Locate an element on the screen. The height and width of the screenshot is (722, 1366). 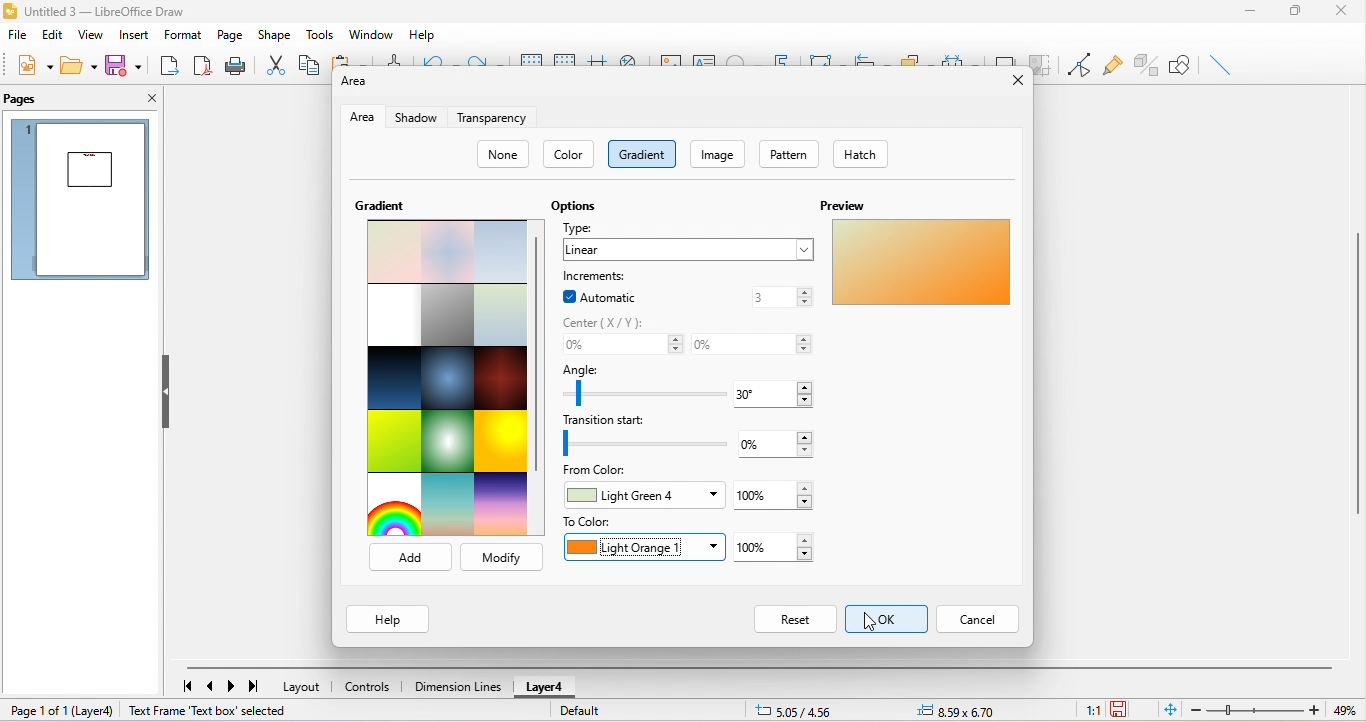
blue touch is located at coordinates (499, 253).